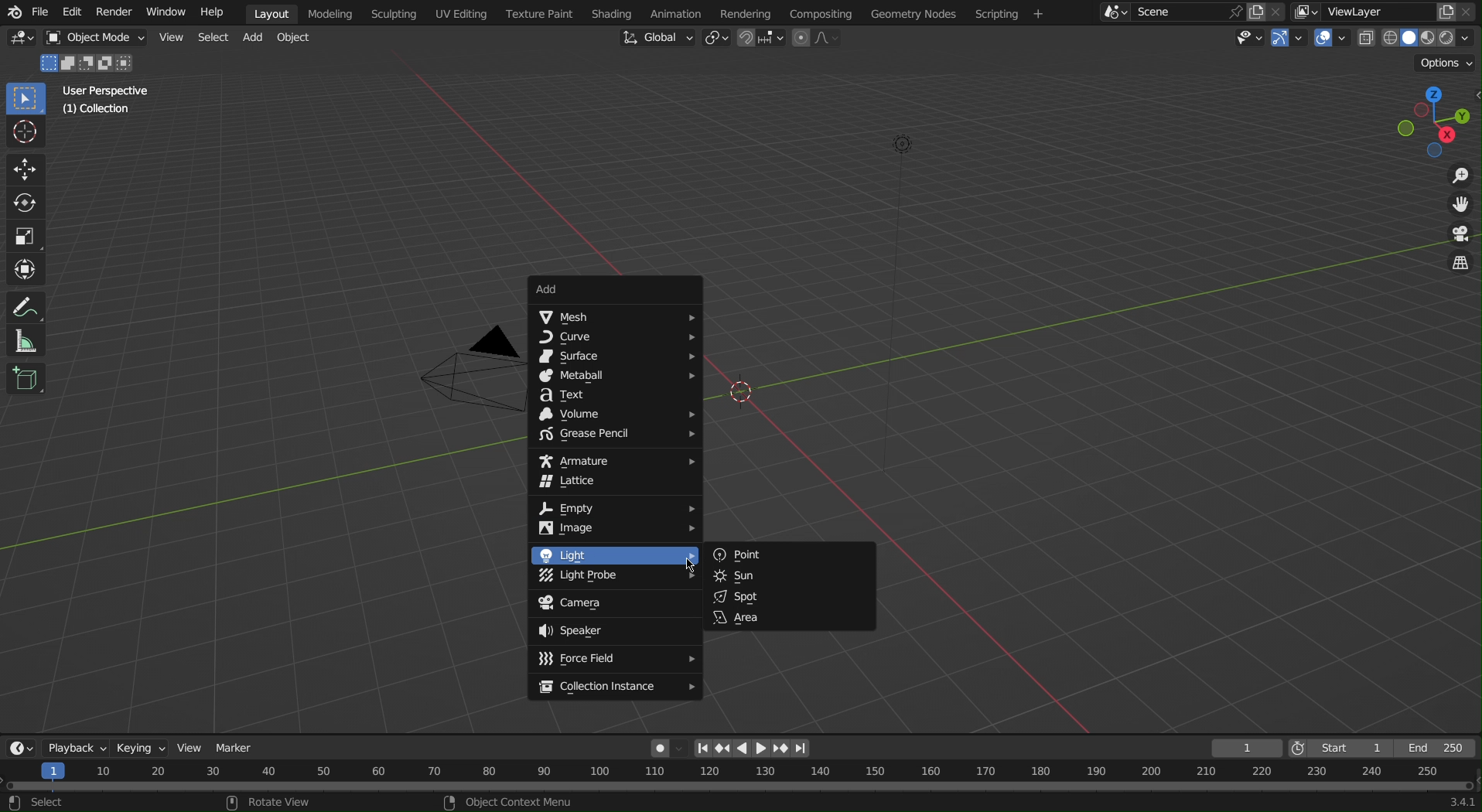 This screenshot has height=812, width=1482. Describe the element at coordinates (907, 144) in the screenshot. I see `Brightness` at that location.